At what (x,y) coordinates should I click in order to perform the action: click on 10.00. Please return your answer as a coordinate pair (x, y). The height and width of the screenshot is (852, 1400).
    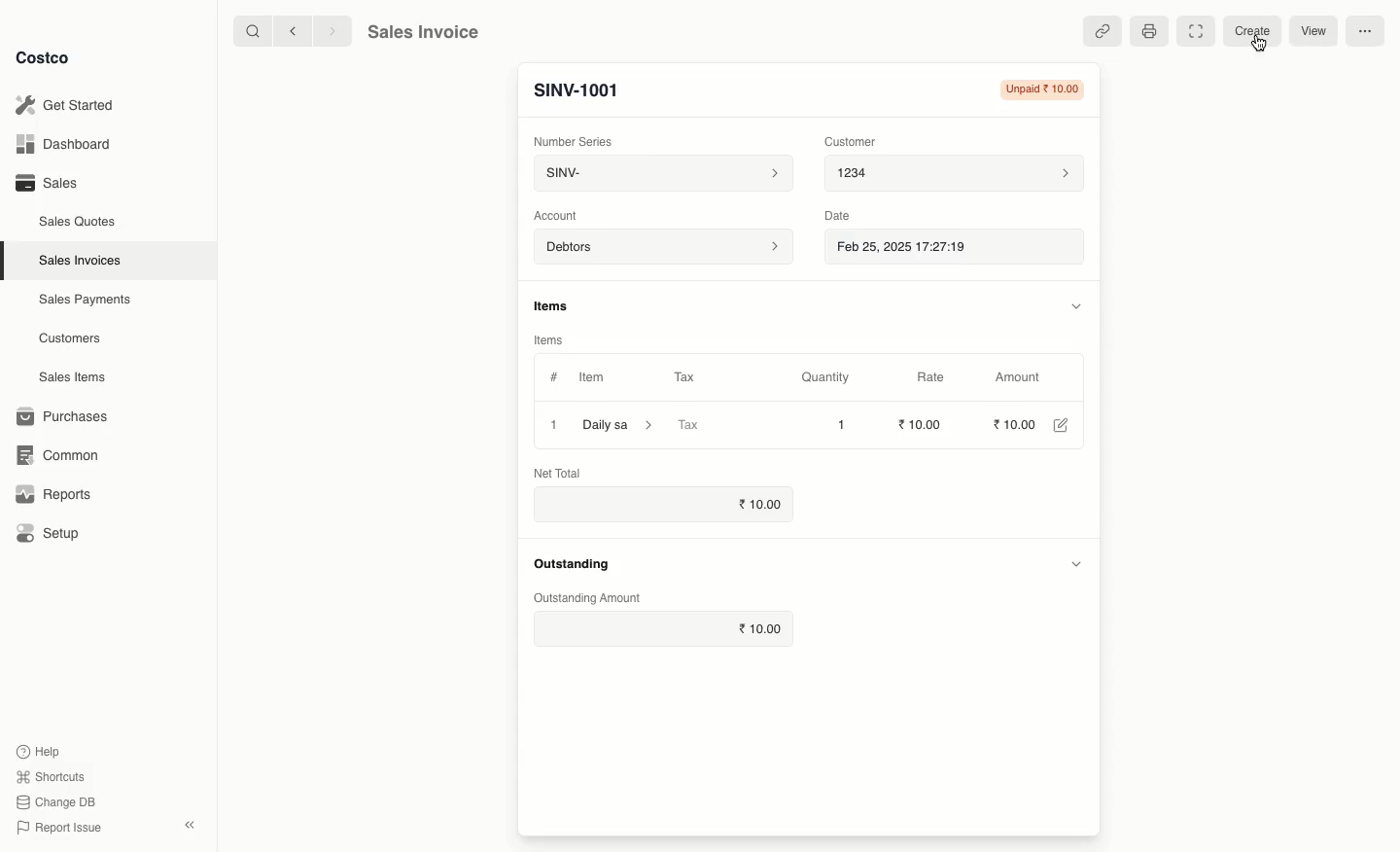
    Looking at the image, I should click on (1012, 424).